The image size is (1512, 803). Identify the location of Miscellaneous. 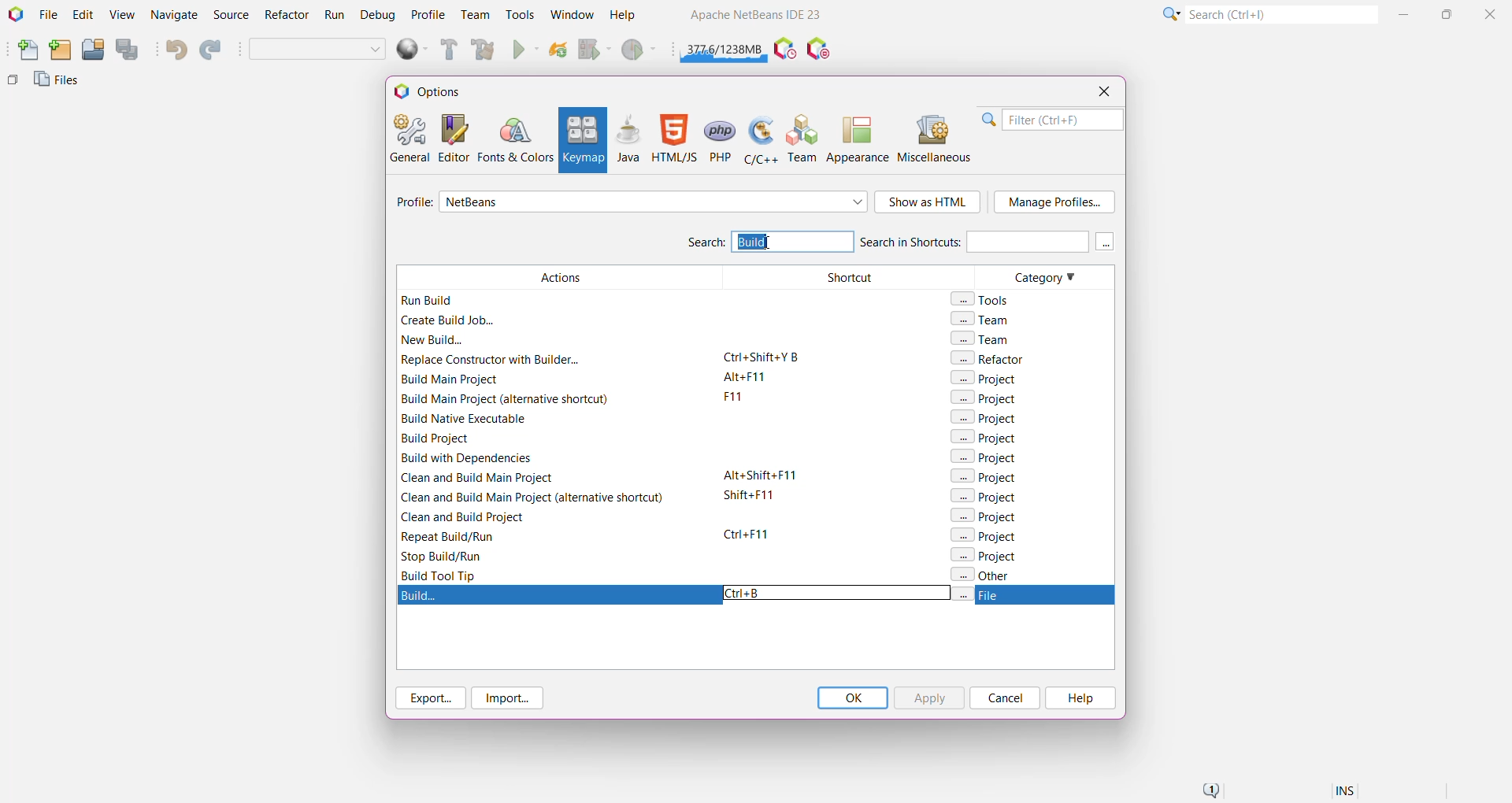
(936, 139).